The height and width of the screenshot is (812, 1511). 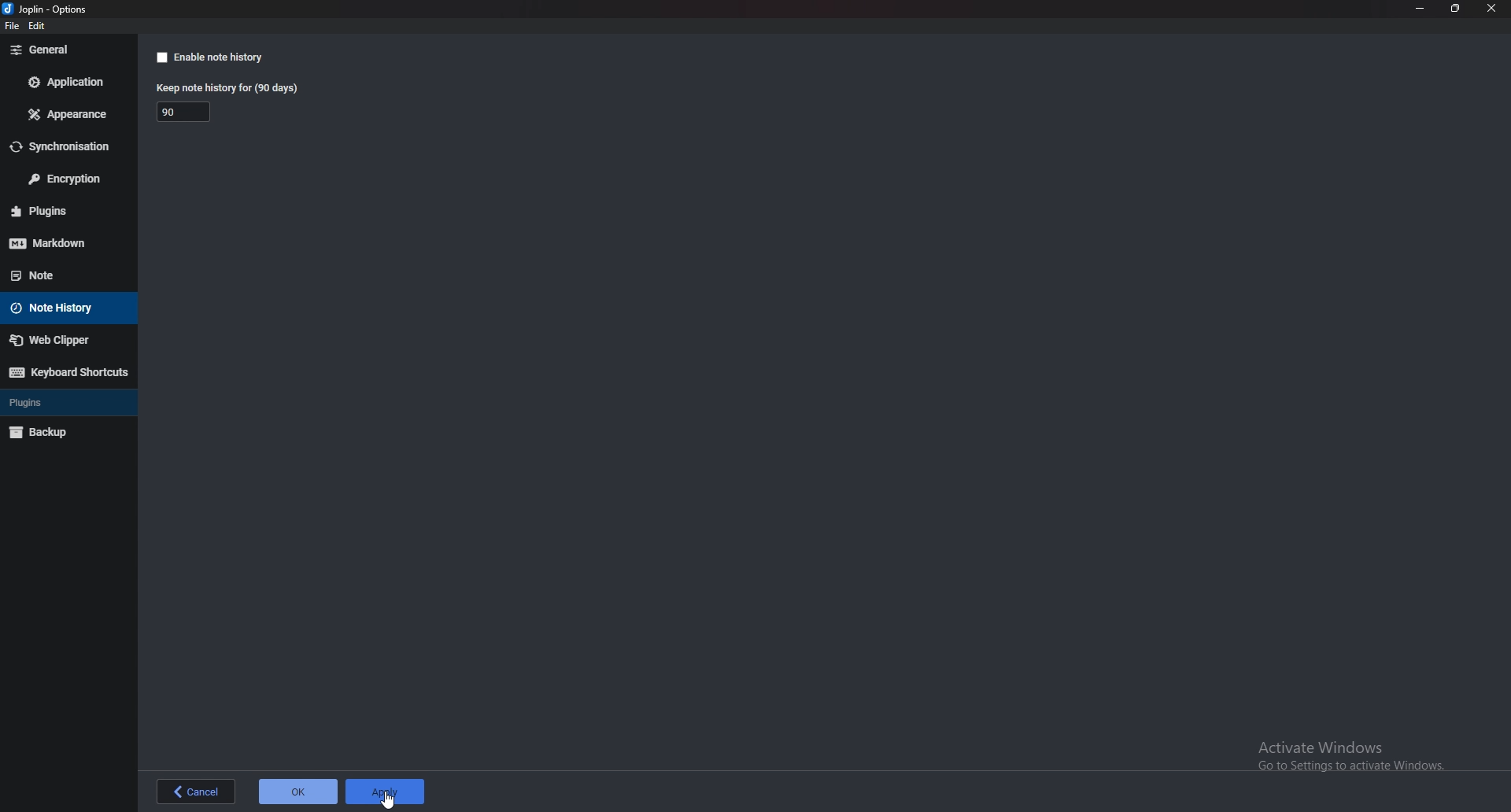 What do you see at coordinates (66, 372) in the screenshot?
I see `Keyboard shortcuts` at bounding box center [66, 372].